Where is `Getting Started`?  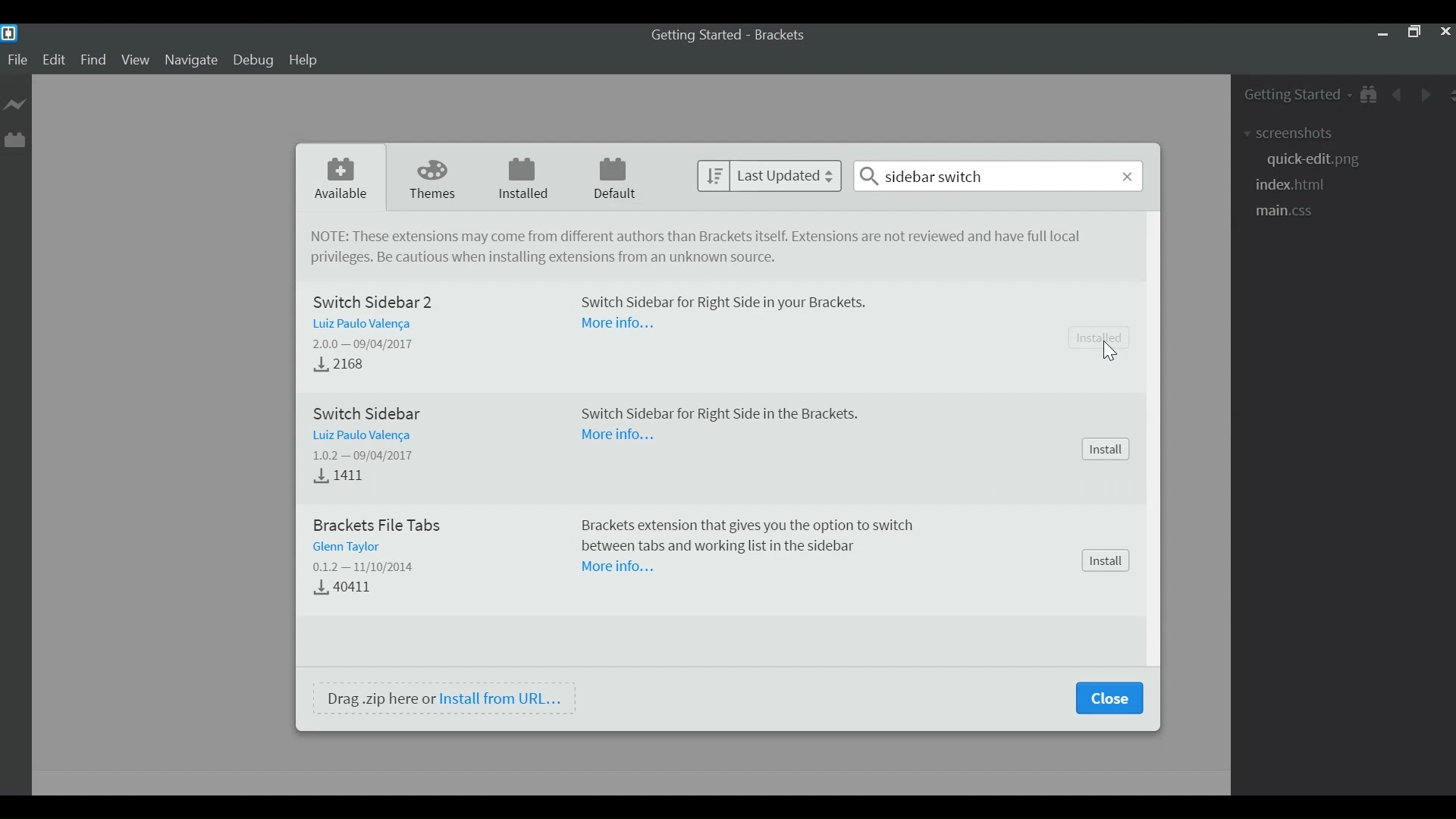
Getting Started is located at coordinates (1296, 97).